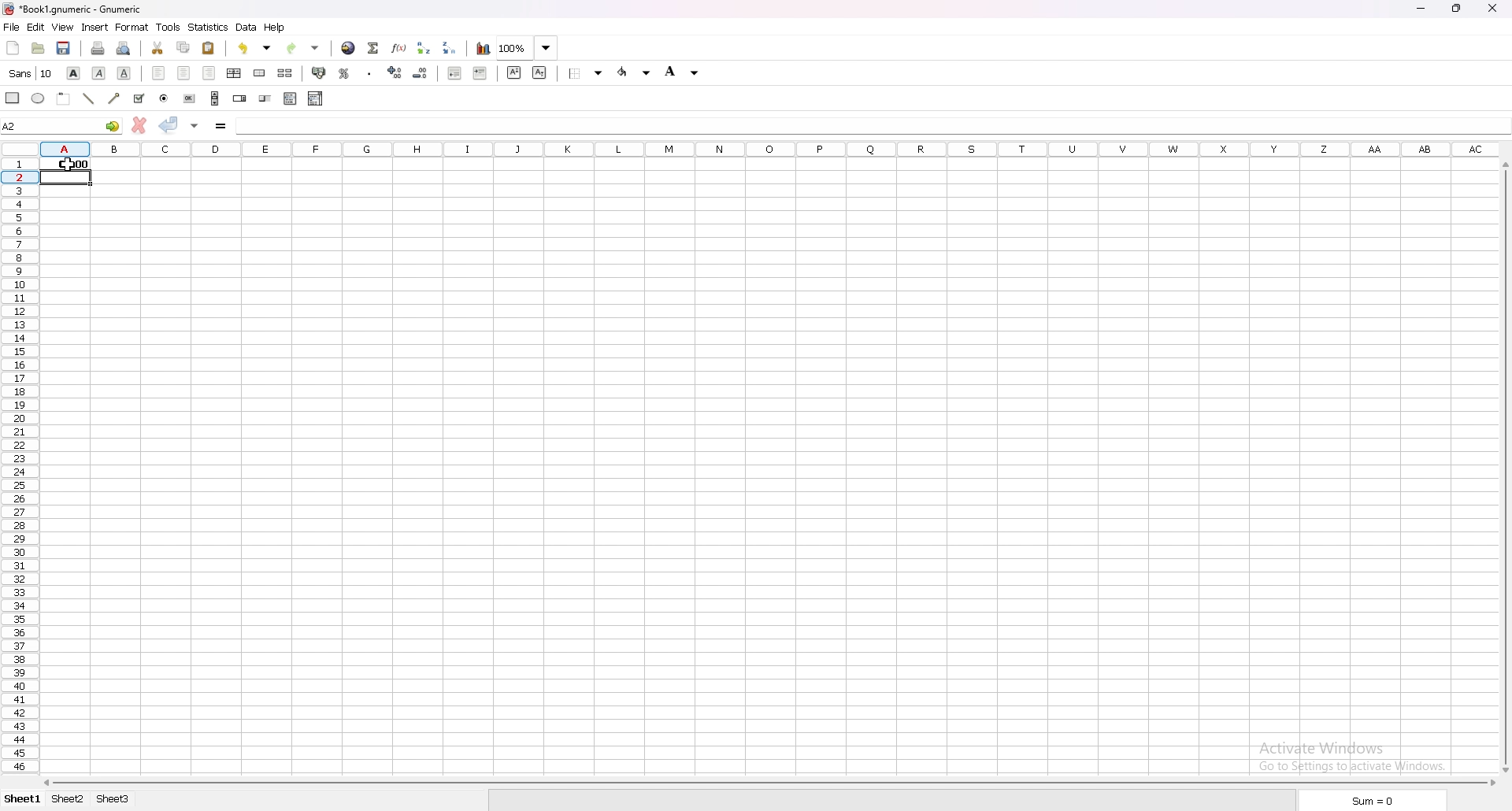 The height and width of the screenshot is (811, 1512). What do you see at coordinates (195, 126) in the screenshot?
I see `accept change in multiple cell` at bounding box center [195, 126].